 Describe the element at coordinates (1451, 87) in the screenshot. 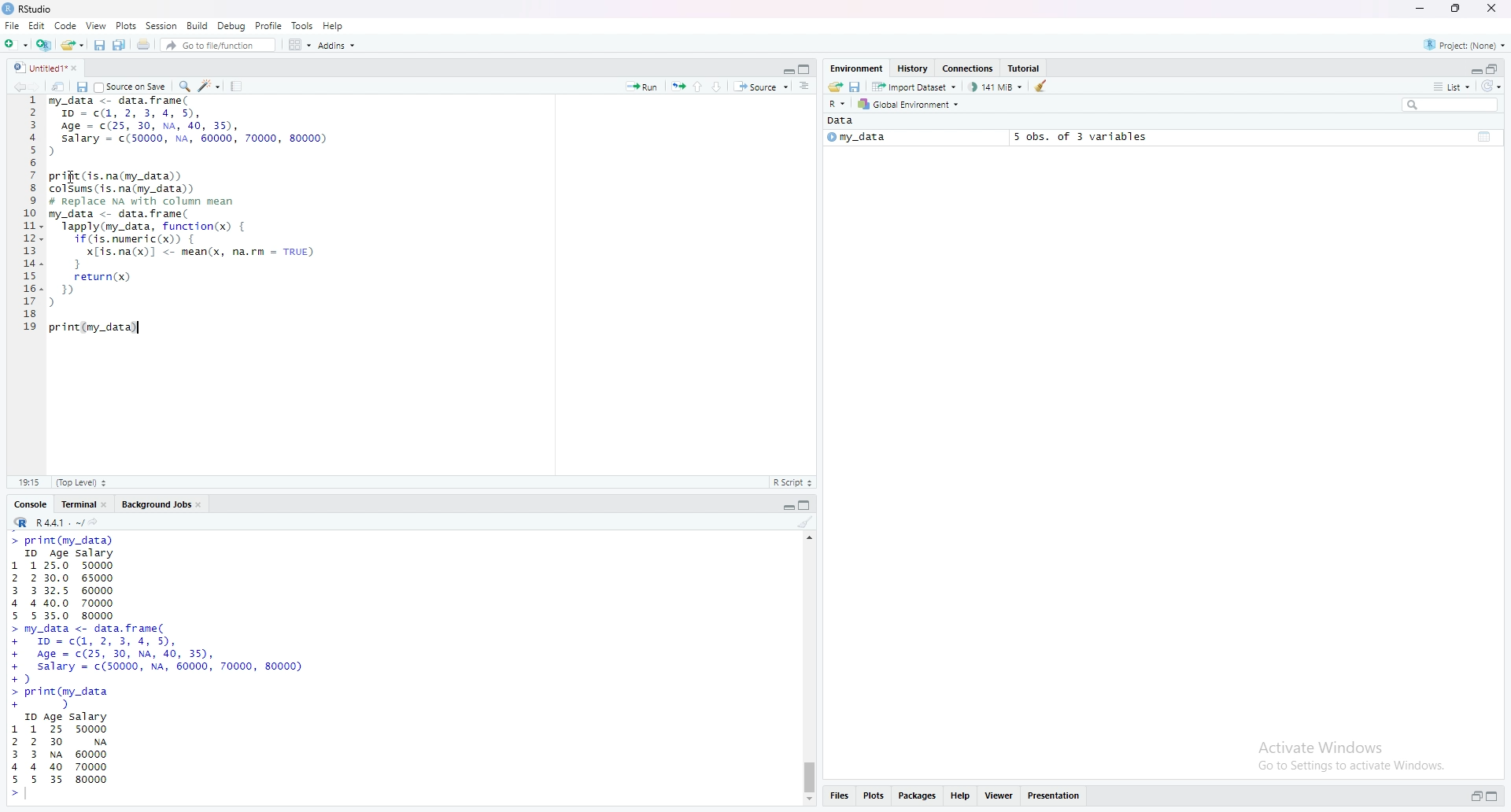

I see `list` at that location.